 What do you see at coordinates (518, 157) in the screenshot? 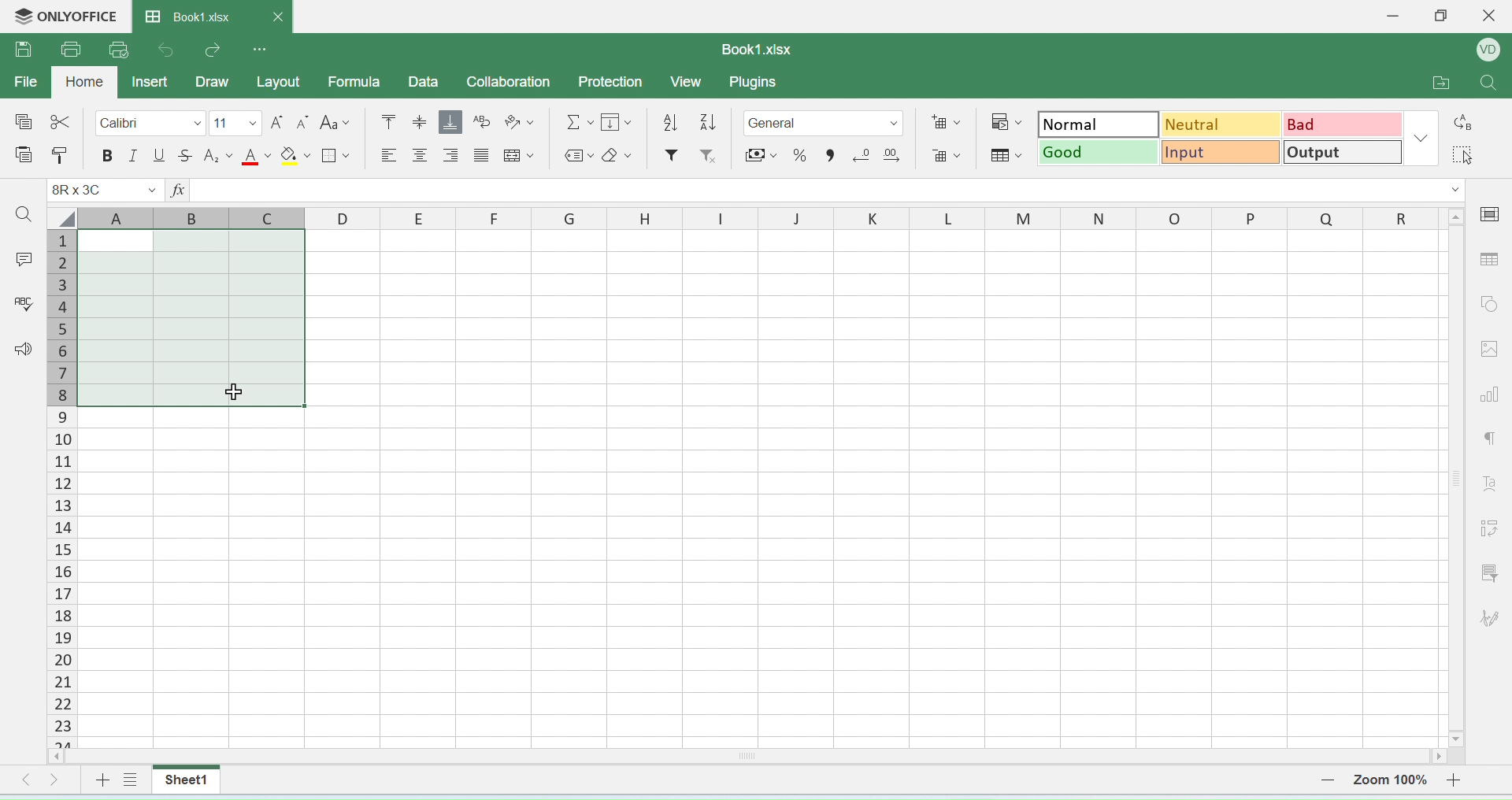
I see `merge cells` at bounding box center [518, 157].